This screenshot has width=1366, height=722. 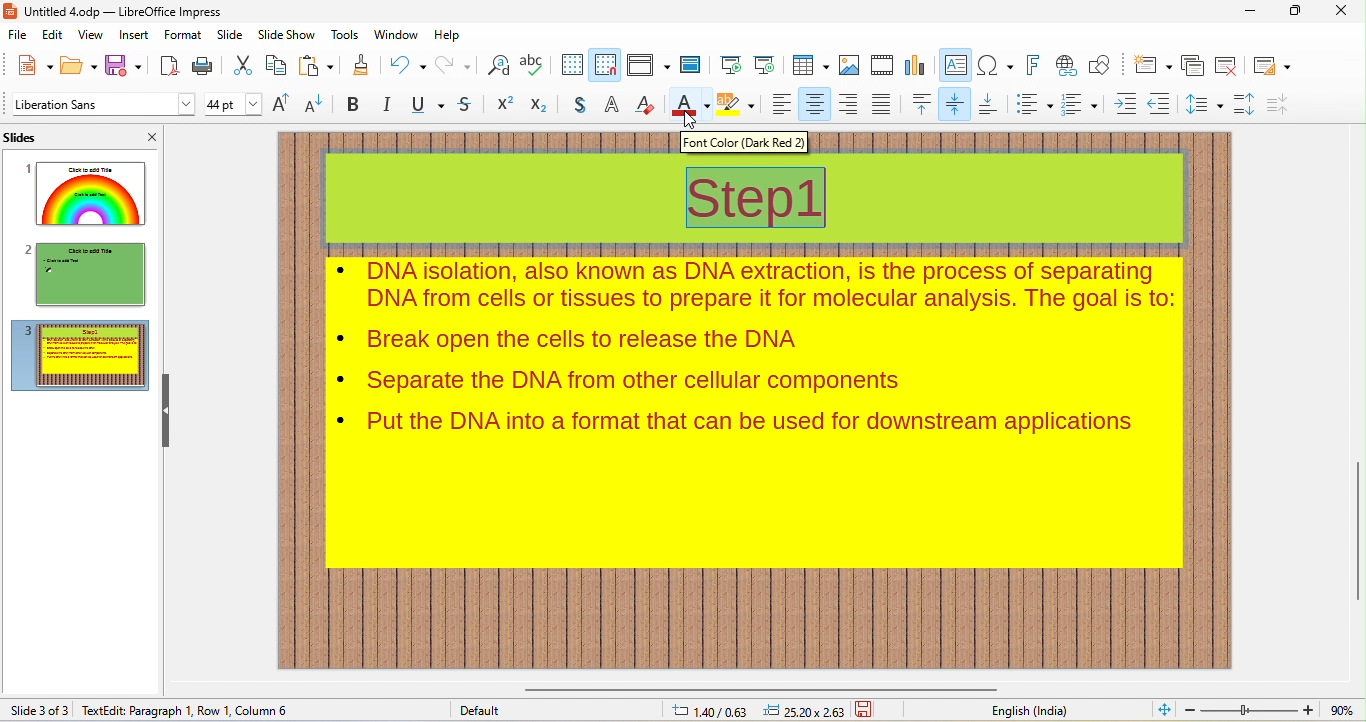 I want to click on save, so click(x=124, y=67).